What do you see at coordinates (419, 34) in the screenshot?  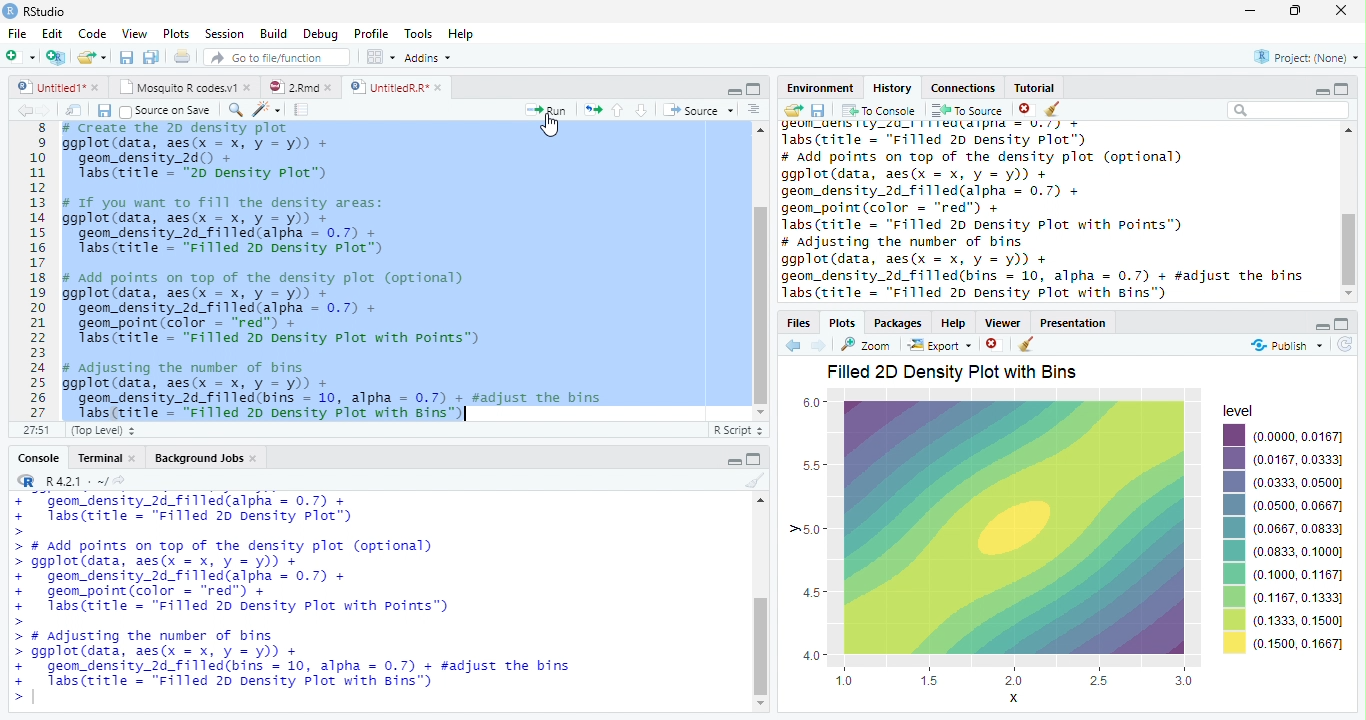 I see `Tools` at bounding box center [419, 34].